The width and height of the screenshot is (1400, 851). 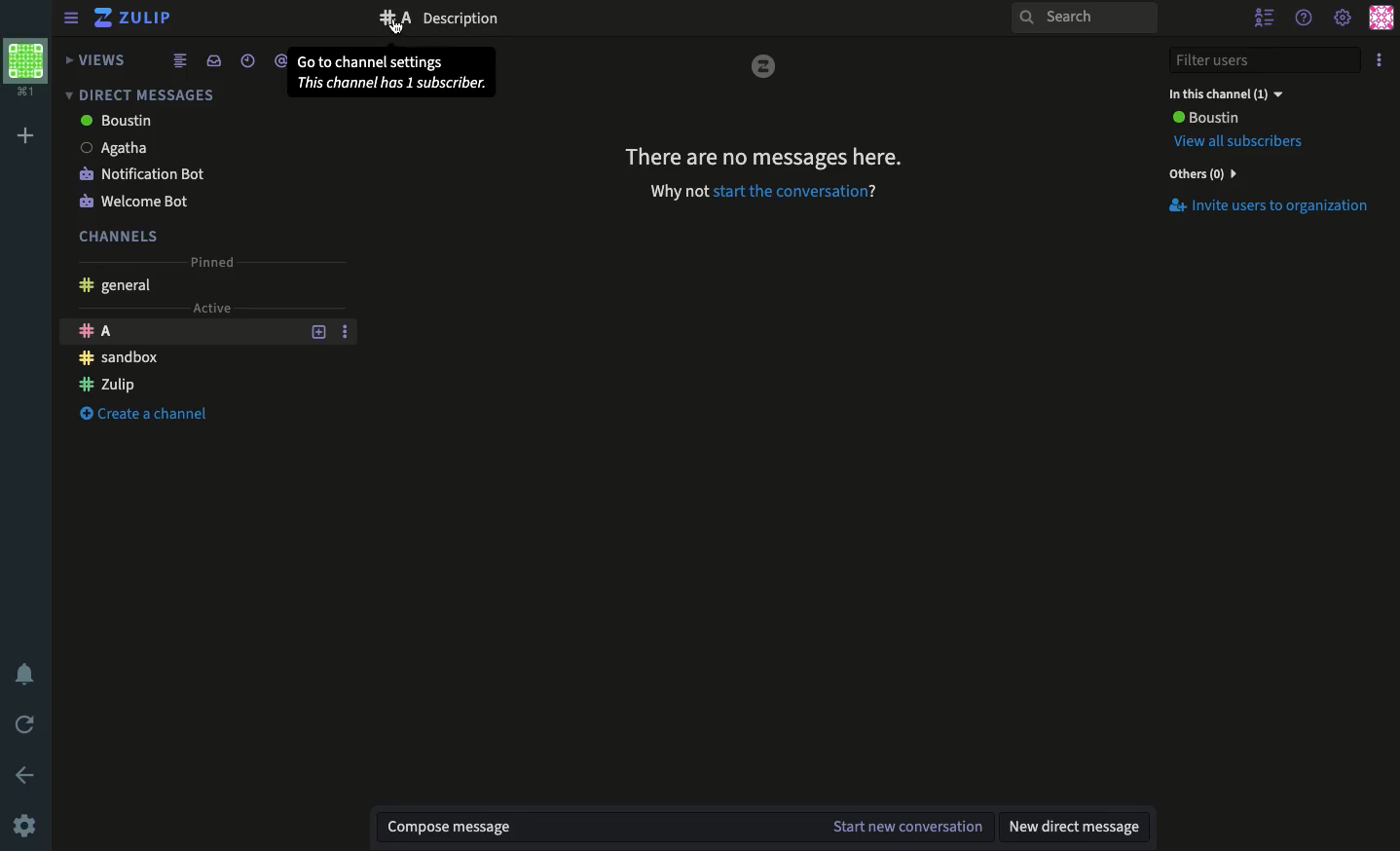 I want to click on Channel description, so click(x=473, y=19).